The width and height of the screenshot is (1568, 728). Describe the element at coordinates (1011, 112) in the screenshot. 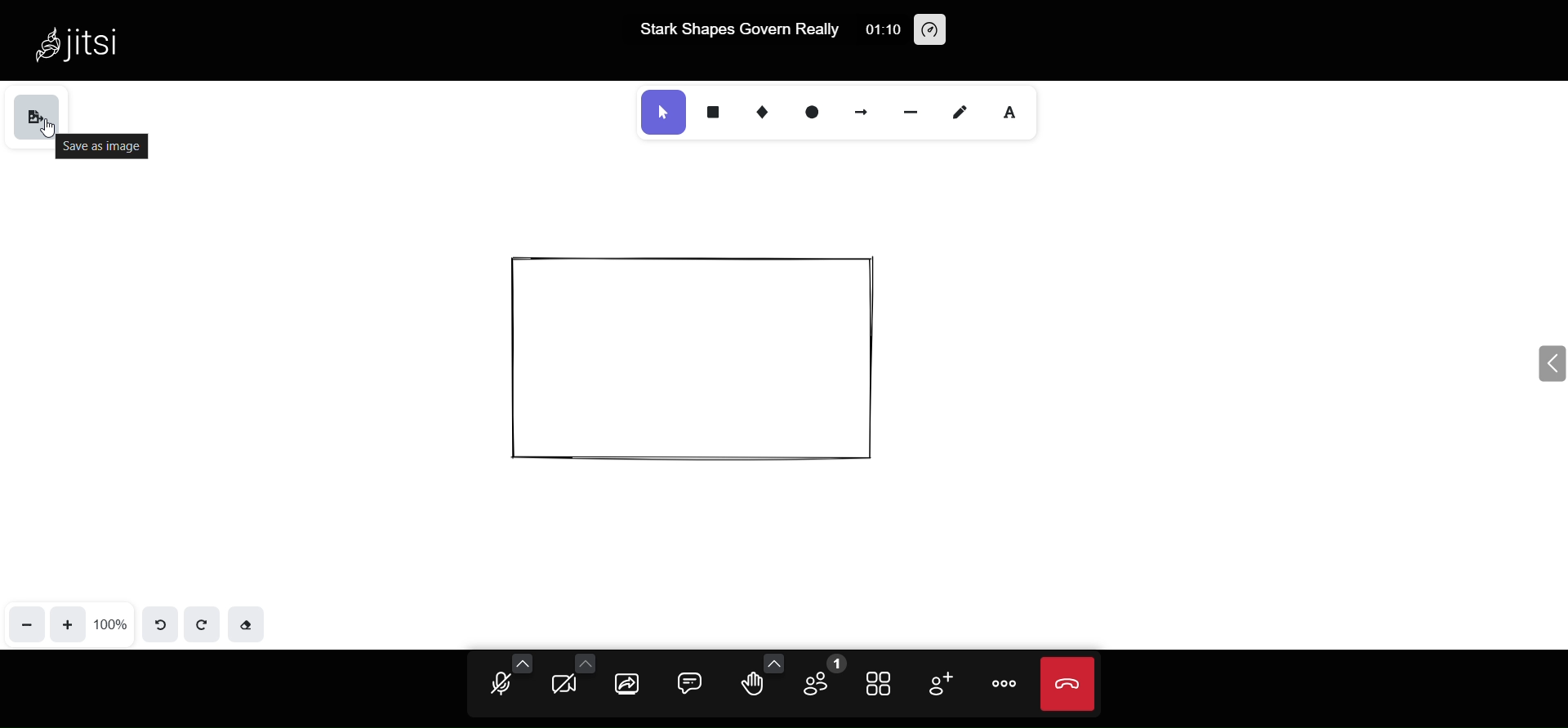

I see `text` at that location.